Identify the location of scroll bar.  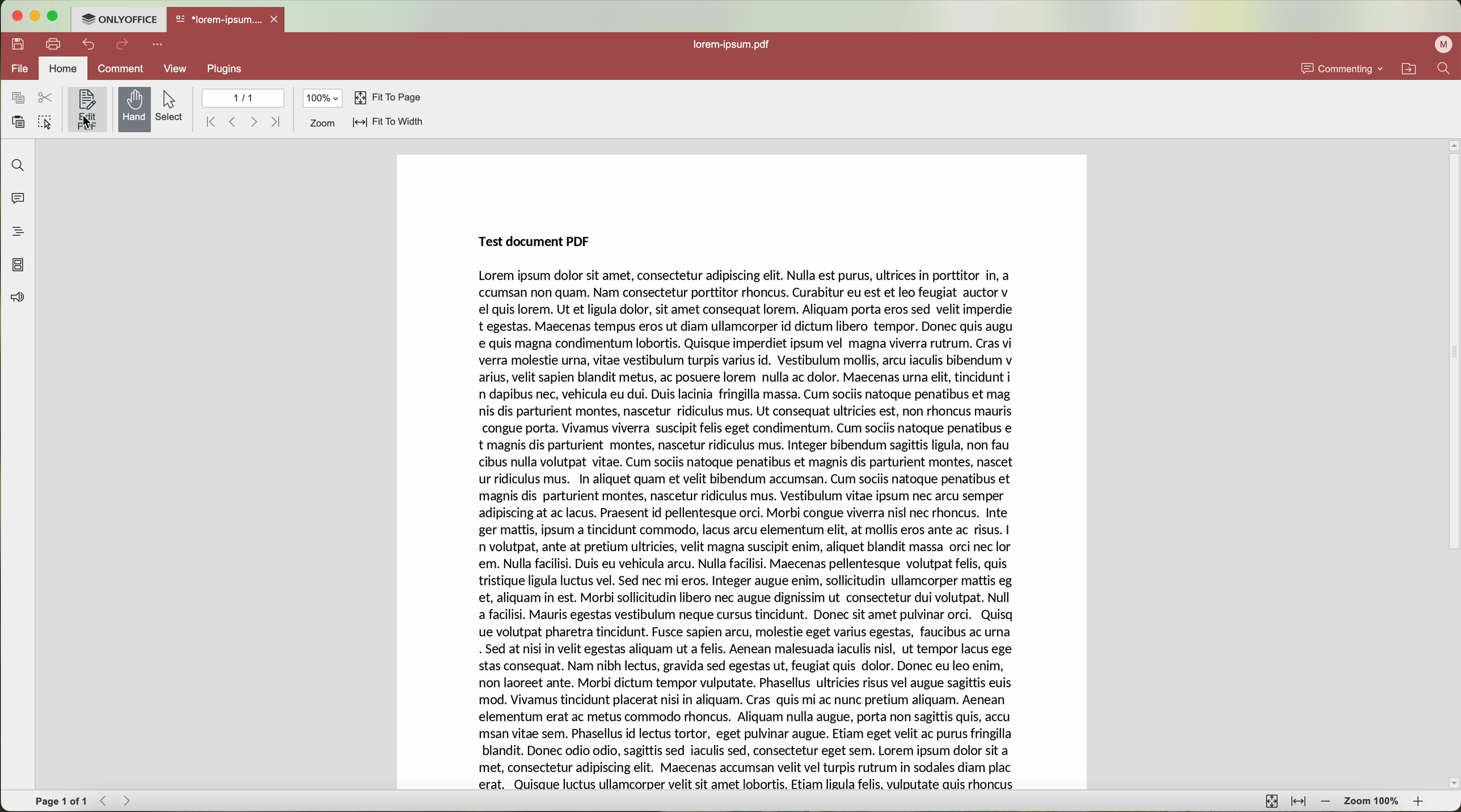
(1452, 462).